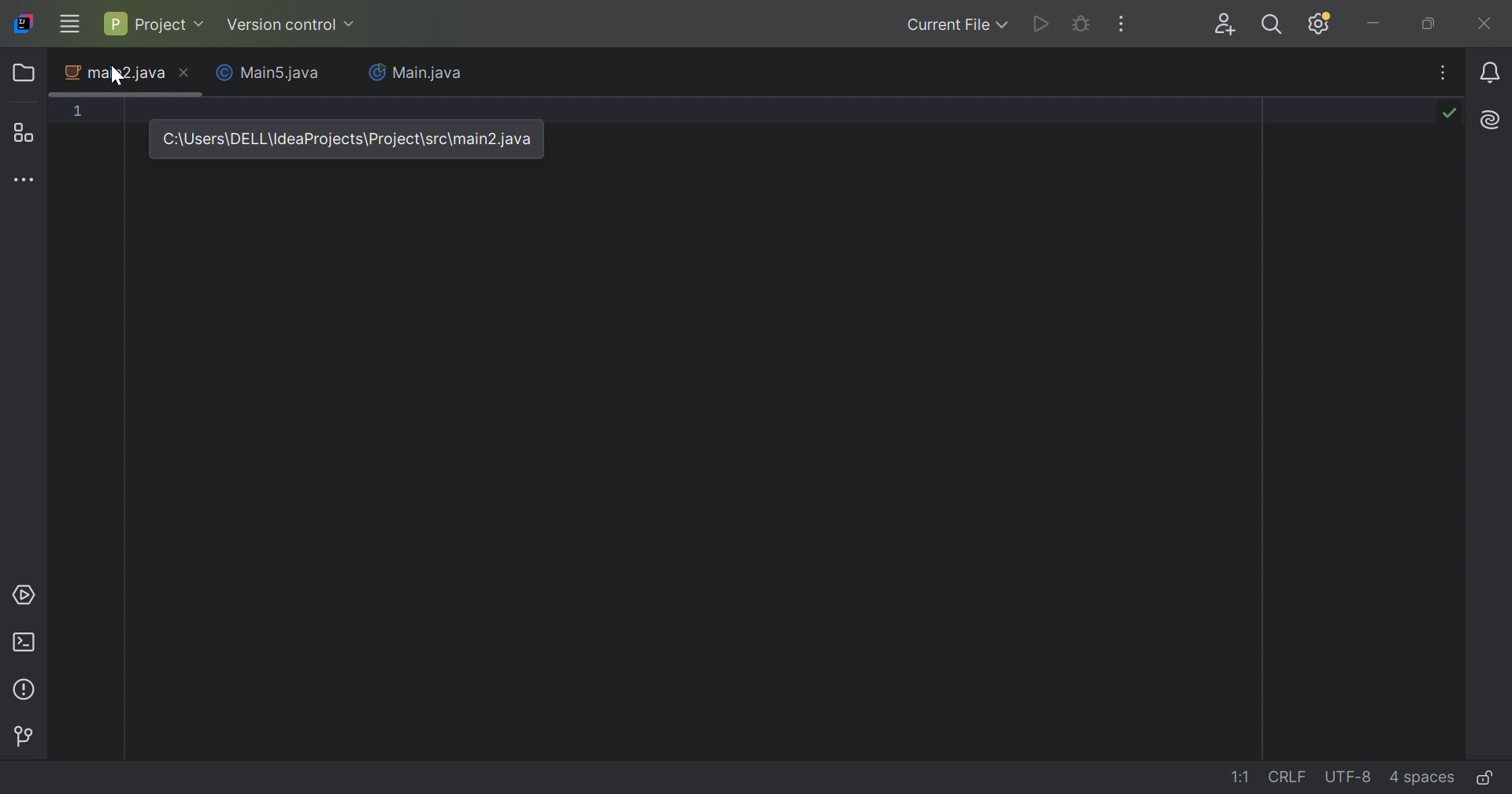  I want to click on , so click(23, 736).